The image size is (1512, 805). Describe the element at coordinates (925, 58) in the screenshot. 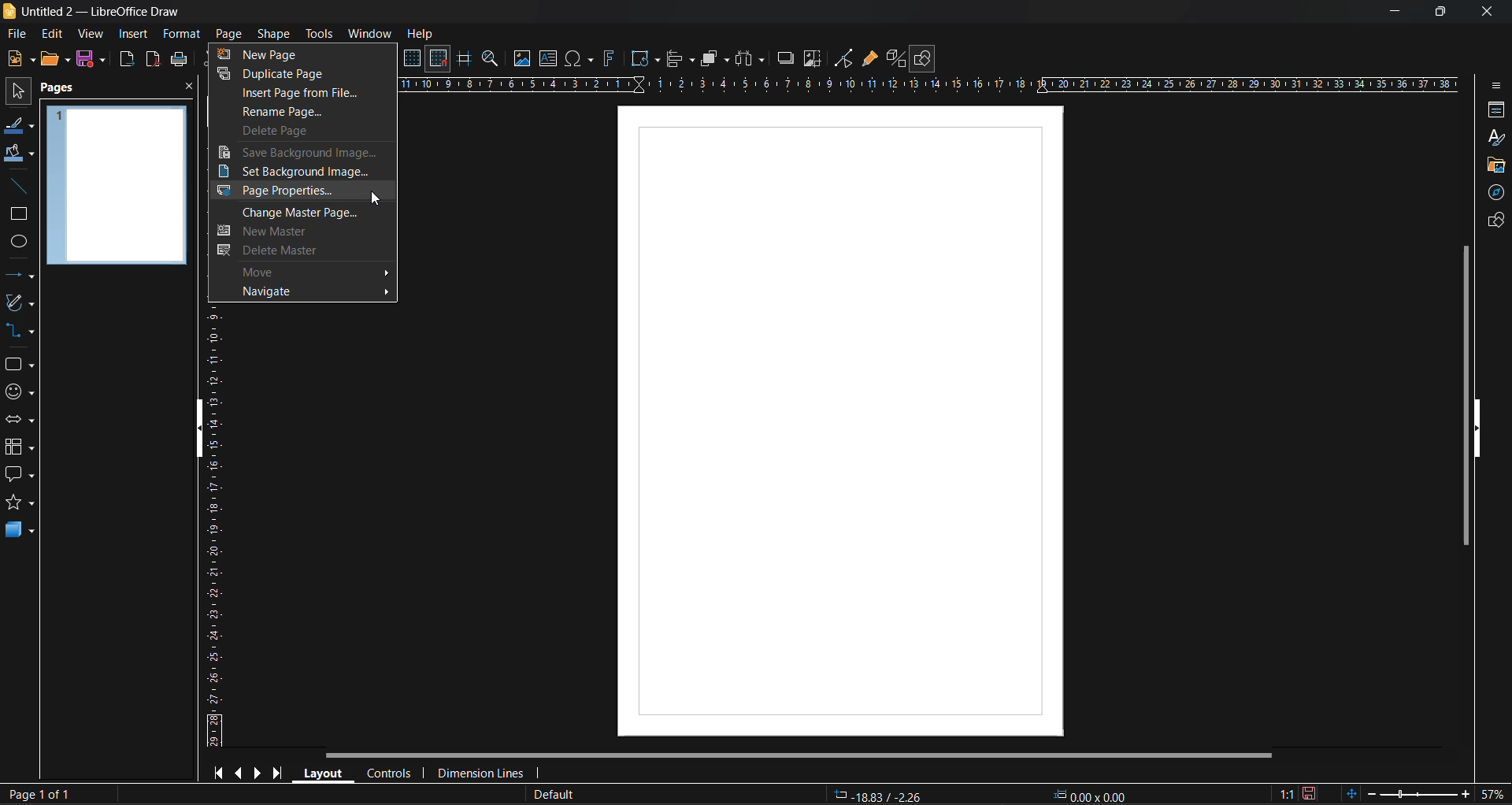

I see `show draw functions` at that location.